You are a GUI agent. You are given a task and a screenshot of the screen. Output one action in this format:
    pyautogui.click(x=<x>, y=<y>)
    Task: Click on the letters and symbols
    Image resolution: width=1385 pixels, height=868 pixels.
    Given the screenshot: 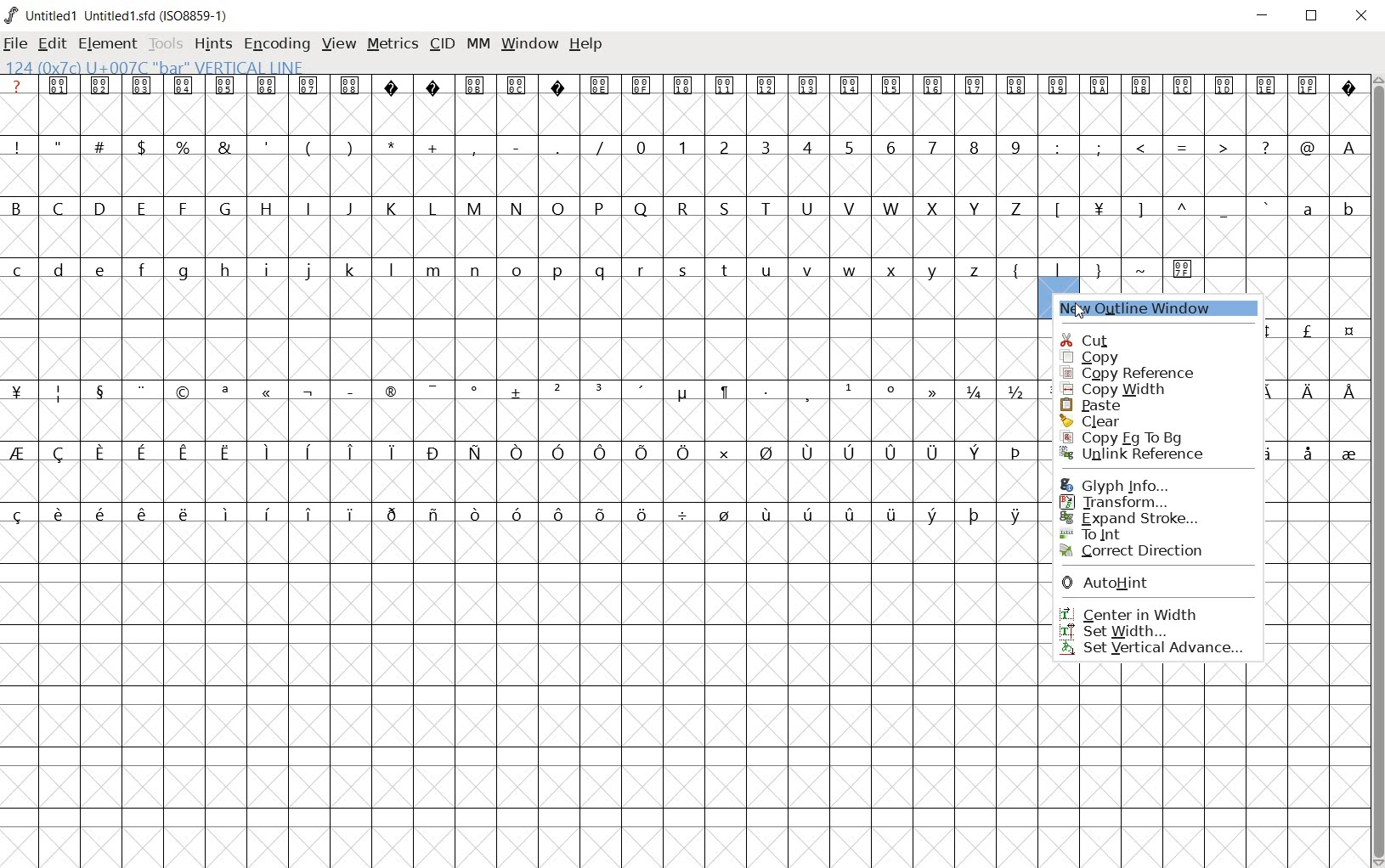 What is the action you would take?
    pyautogui.click(x=605, y=270)
    